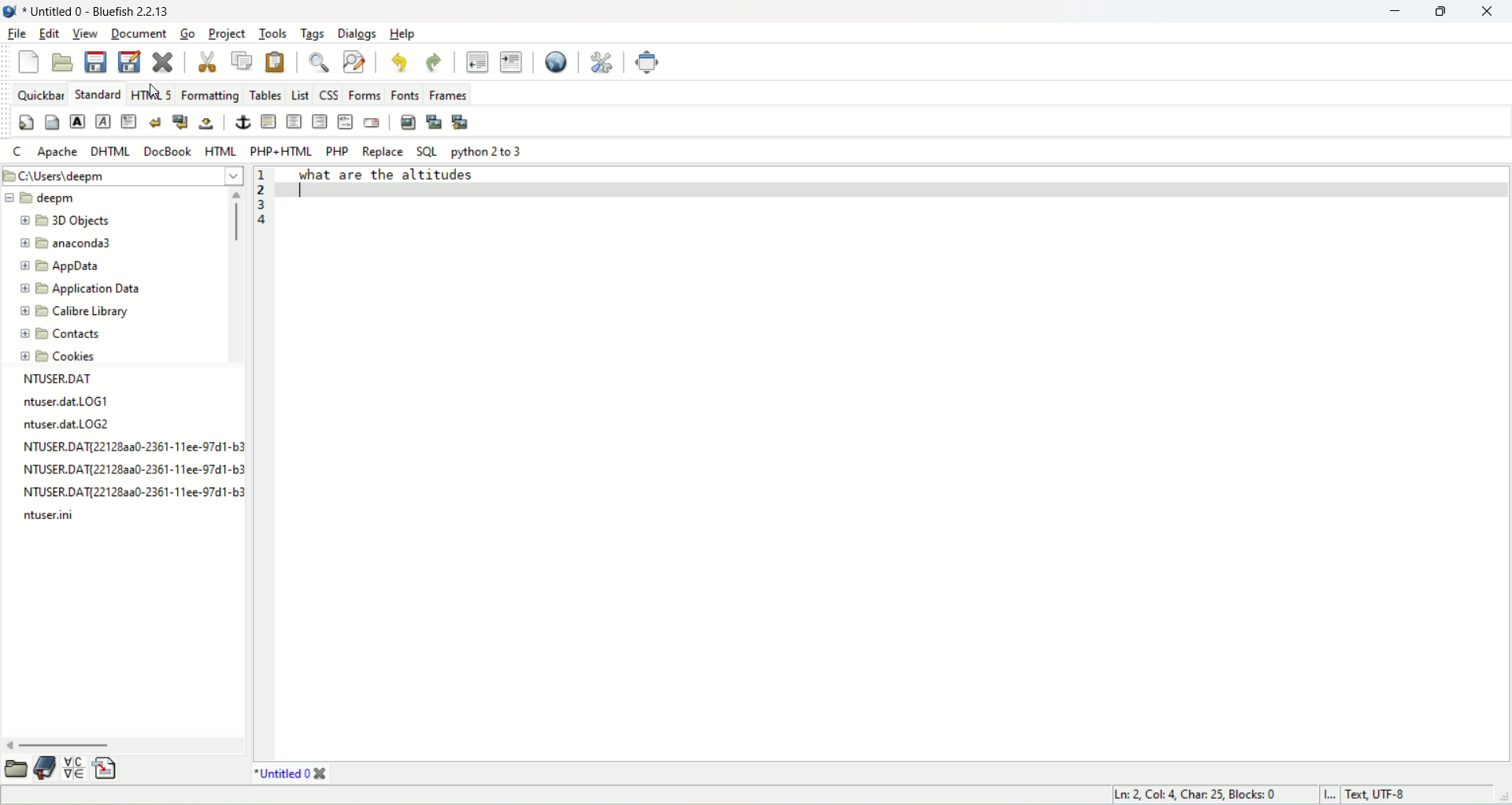 The height and width of the screenshot is (805, 1512). Describe the element at coordinates (408, 122) in the screenshot. I see `insert image` at that location.